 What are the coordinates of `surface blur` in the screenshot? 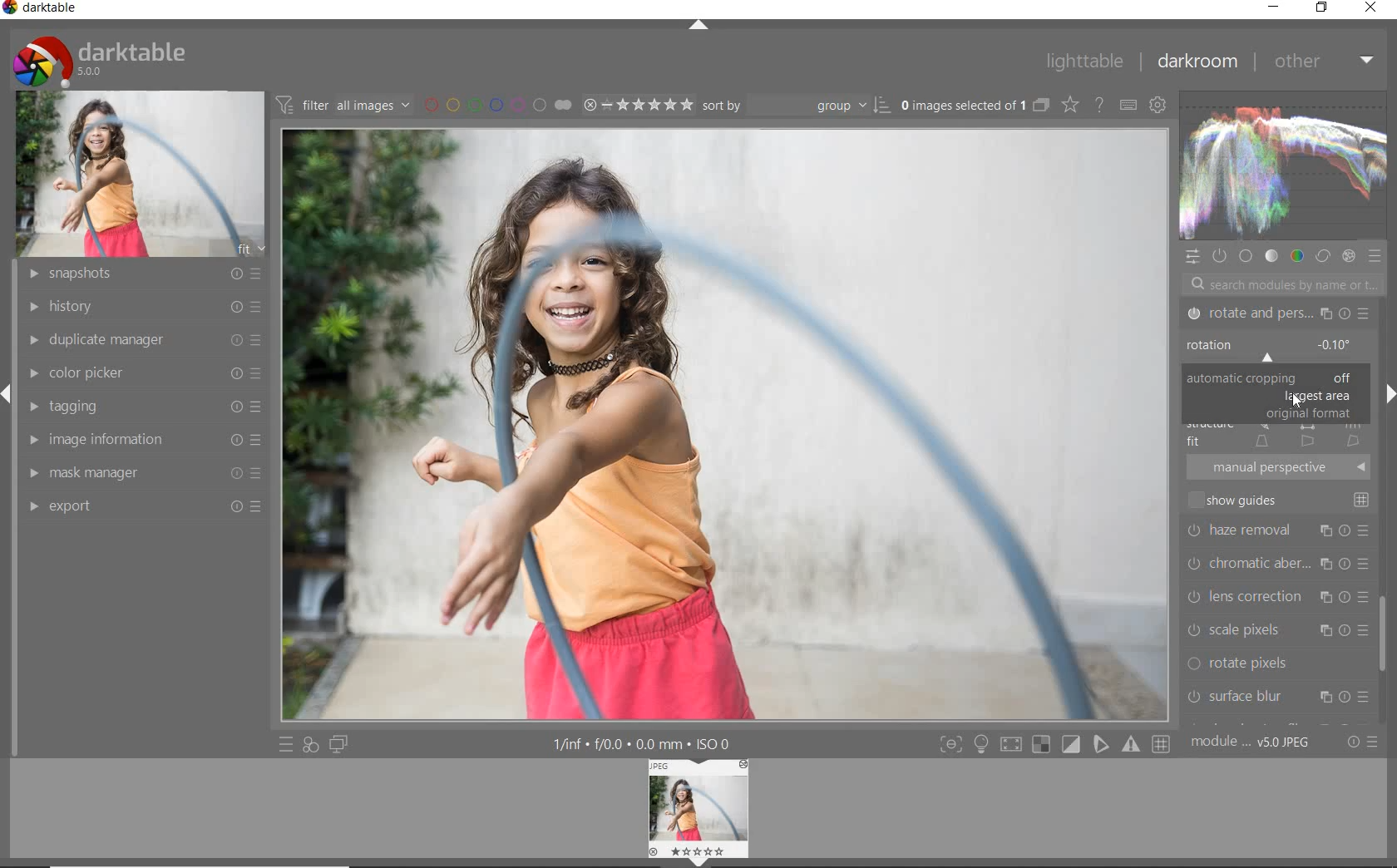 It's located at (1278, 698).